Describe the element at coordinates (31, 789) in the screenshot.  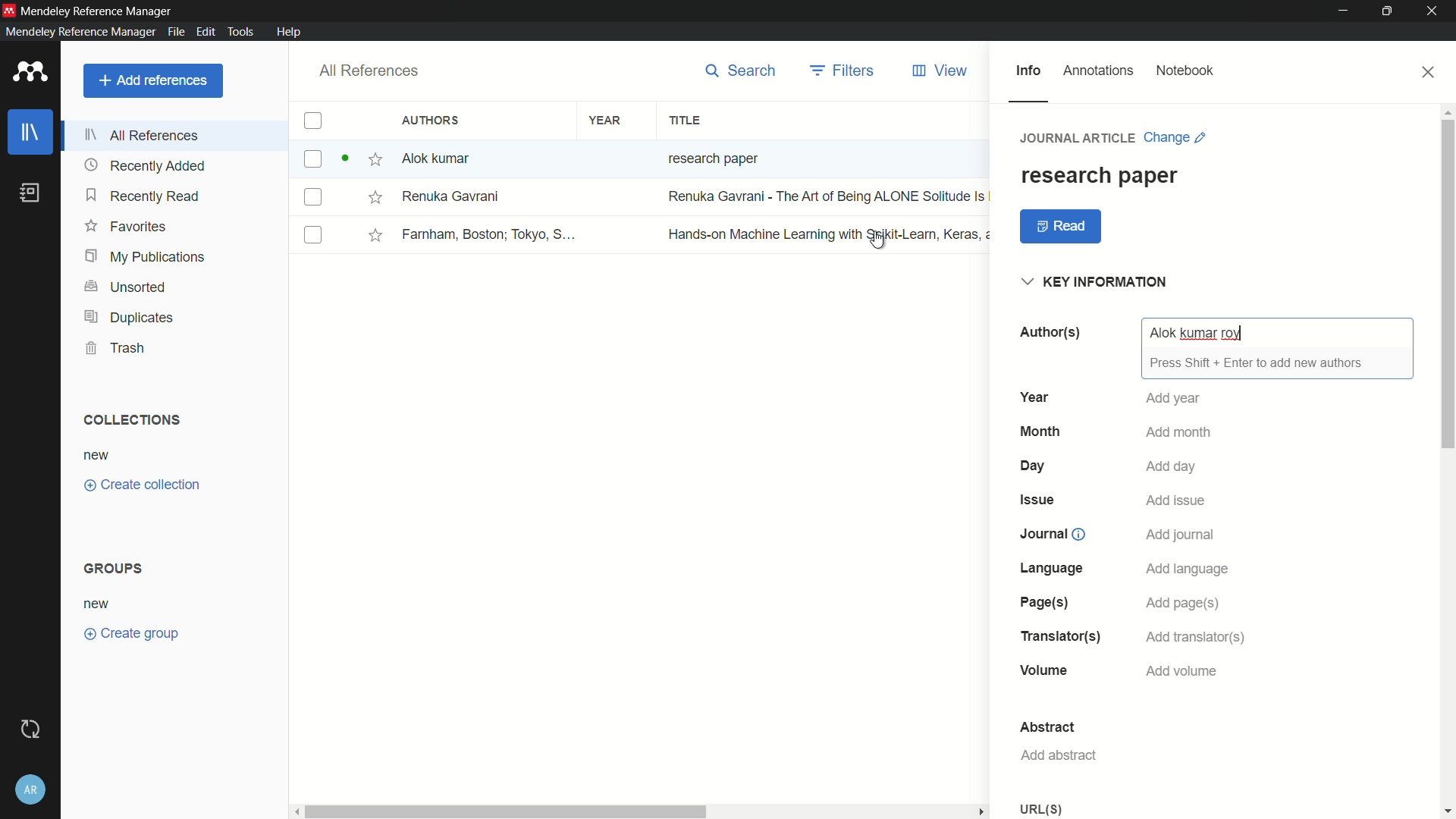
I see `account and settings` at that location.